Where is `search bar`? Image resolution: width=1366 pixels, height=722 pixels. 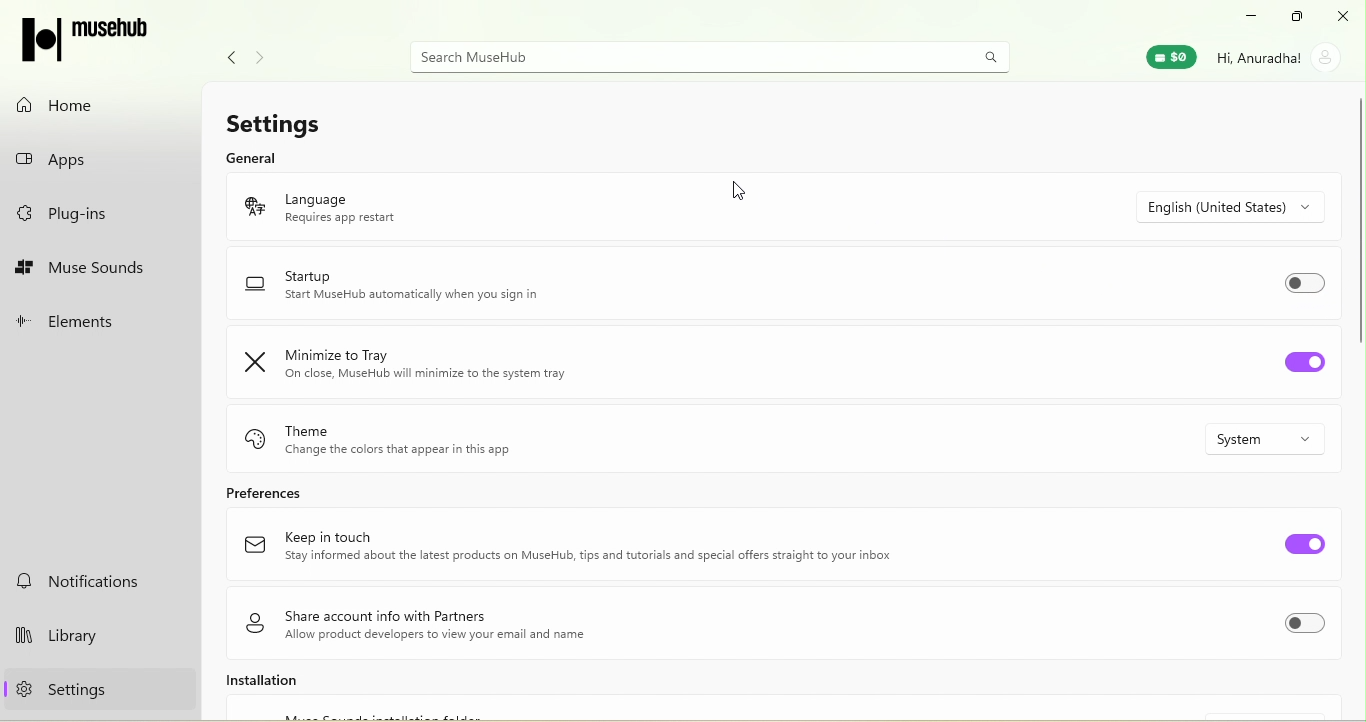
search bar is located at coordinates (704, 56).